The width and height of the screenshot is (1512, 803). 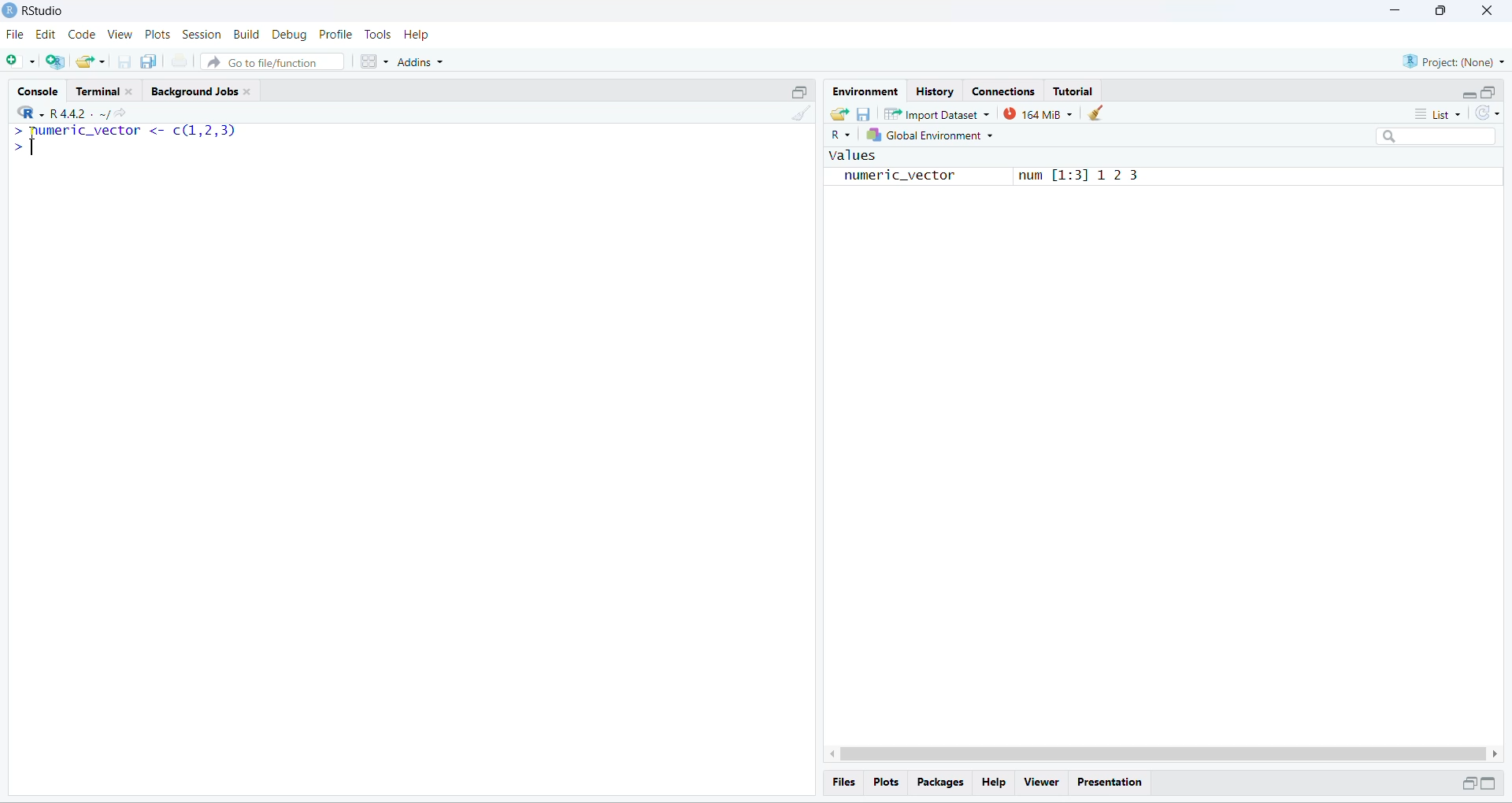 What do you see at coordinates (421, 62) in the screenshot?
I see `Addins` at bounding box center [421, 62].